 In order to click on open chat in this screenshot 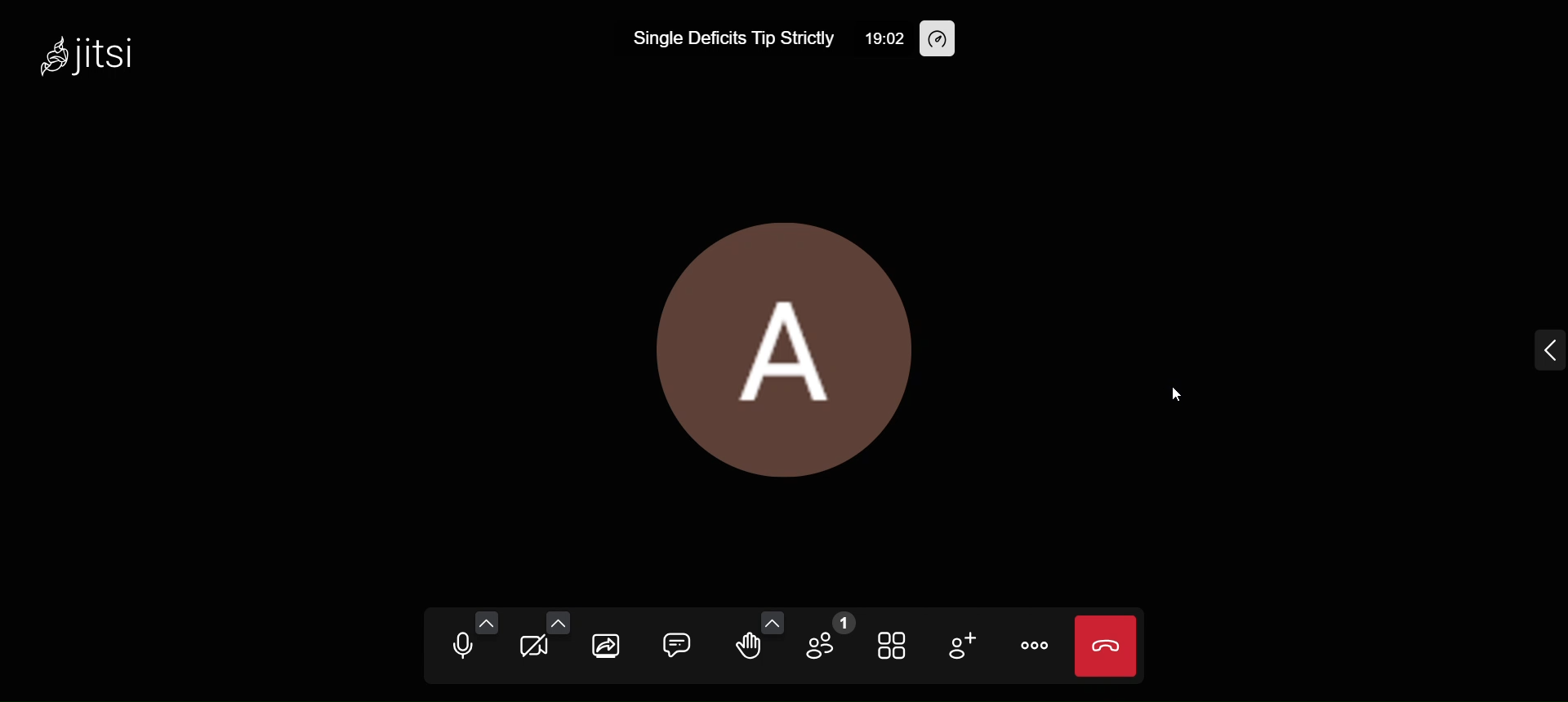, I will do `click(677, 643)`.